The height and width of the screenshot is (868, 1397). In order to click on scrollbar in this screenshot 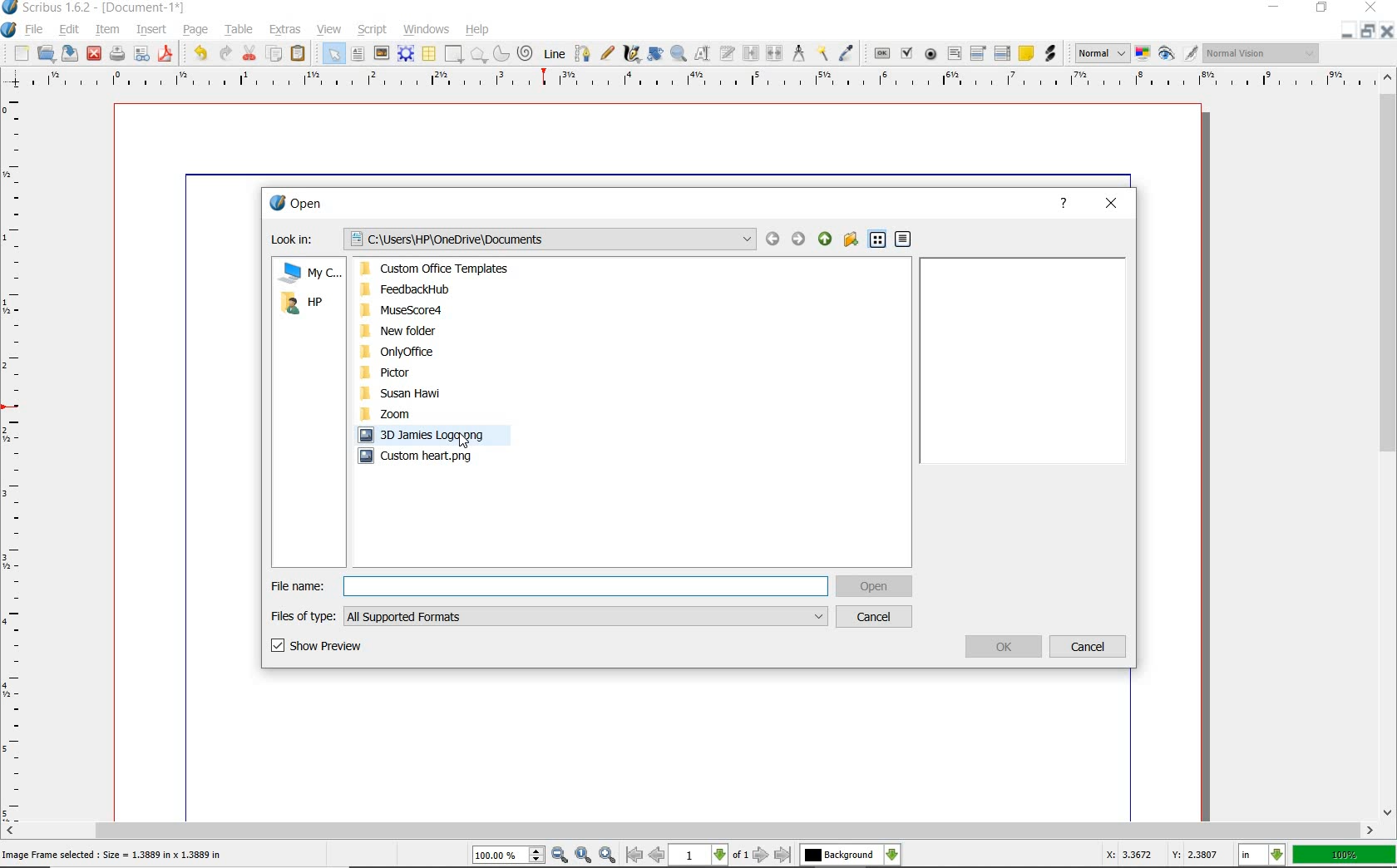, I will do `click(1389, 445)`.